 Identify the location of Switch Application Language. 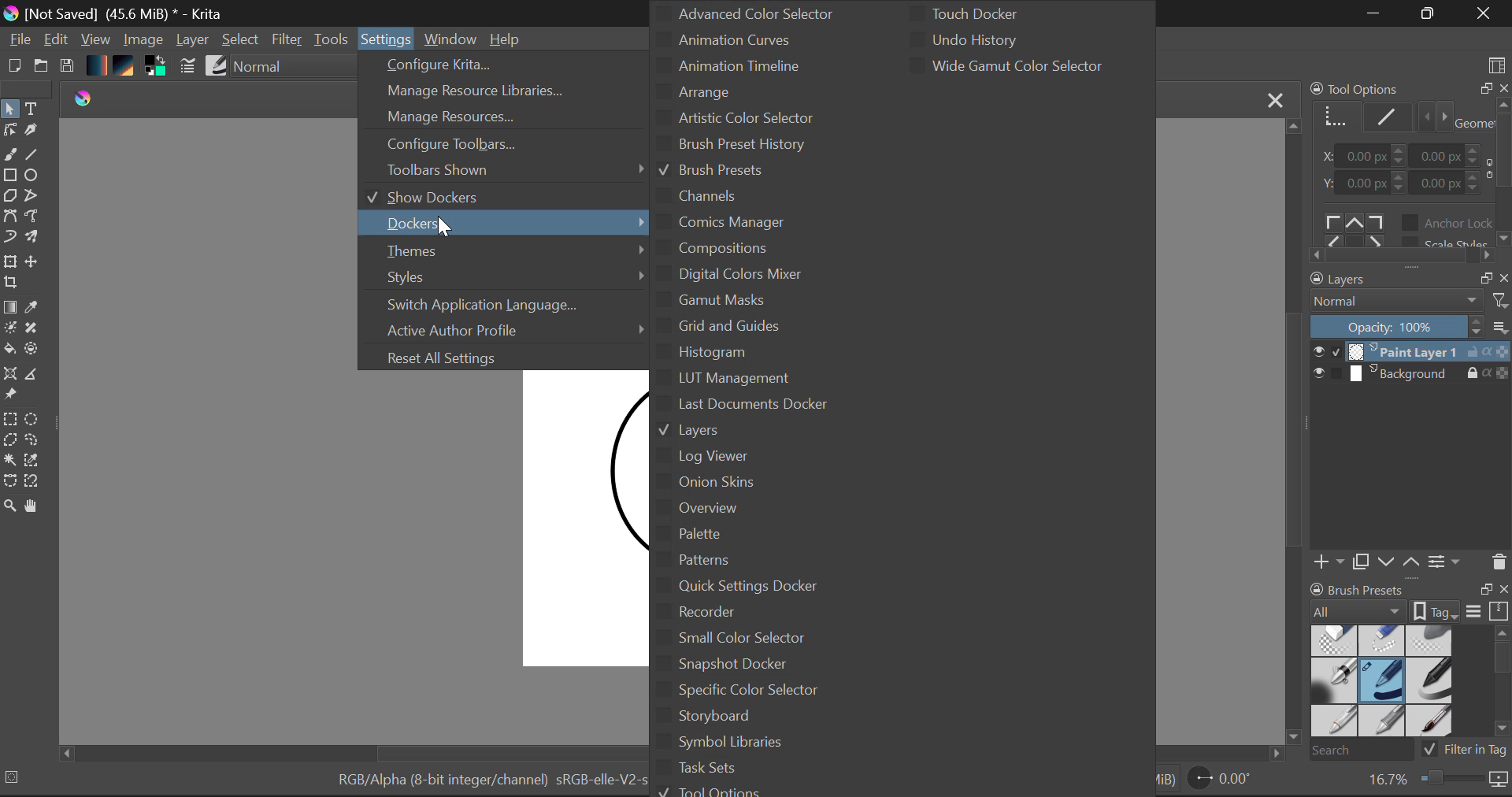
(506, 306).